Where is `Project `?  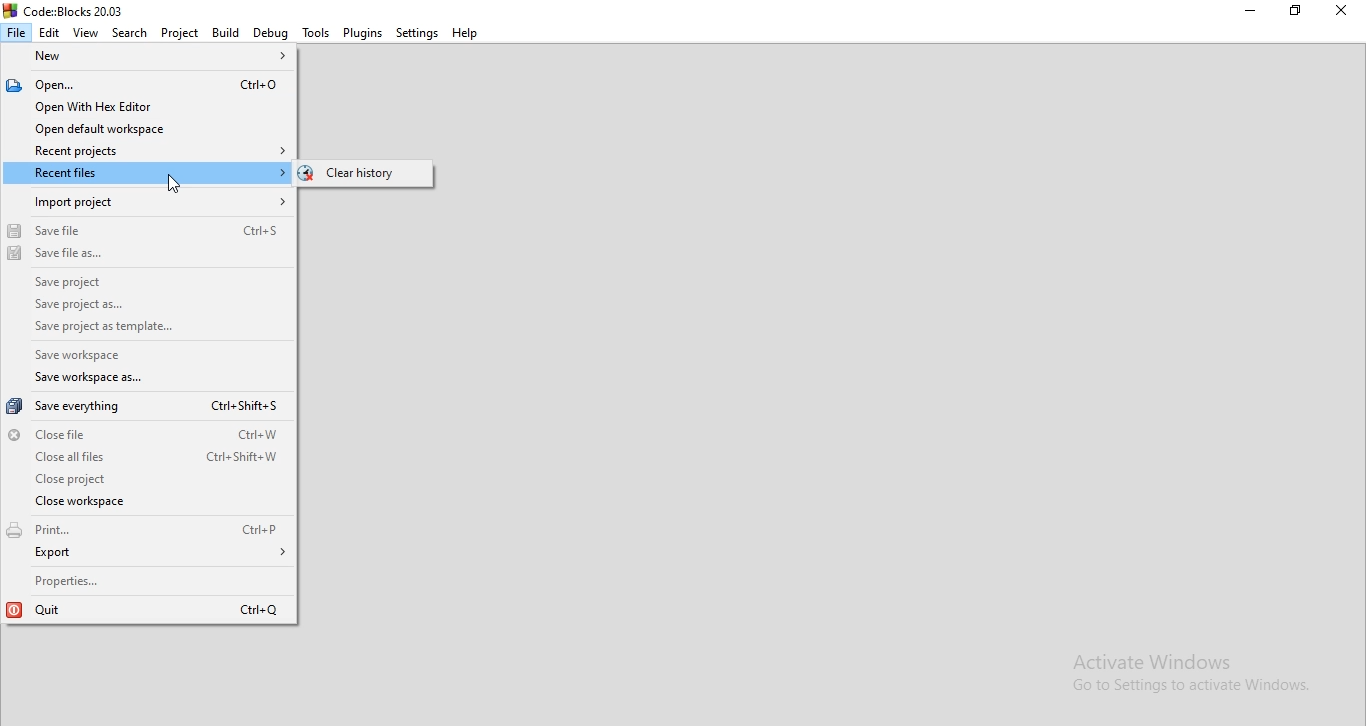
Project  is located at coordinates (179, 33).